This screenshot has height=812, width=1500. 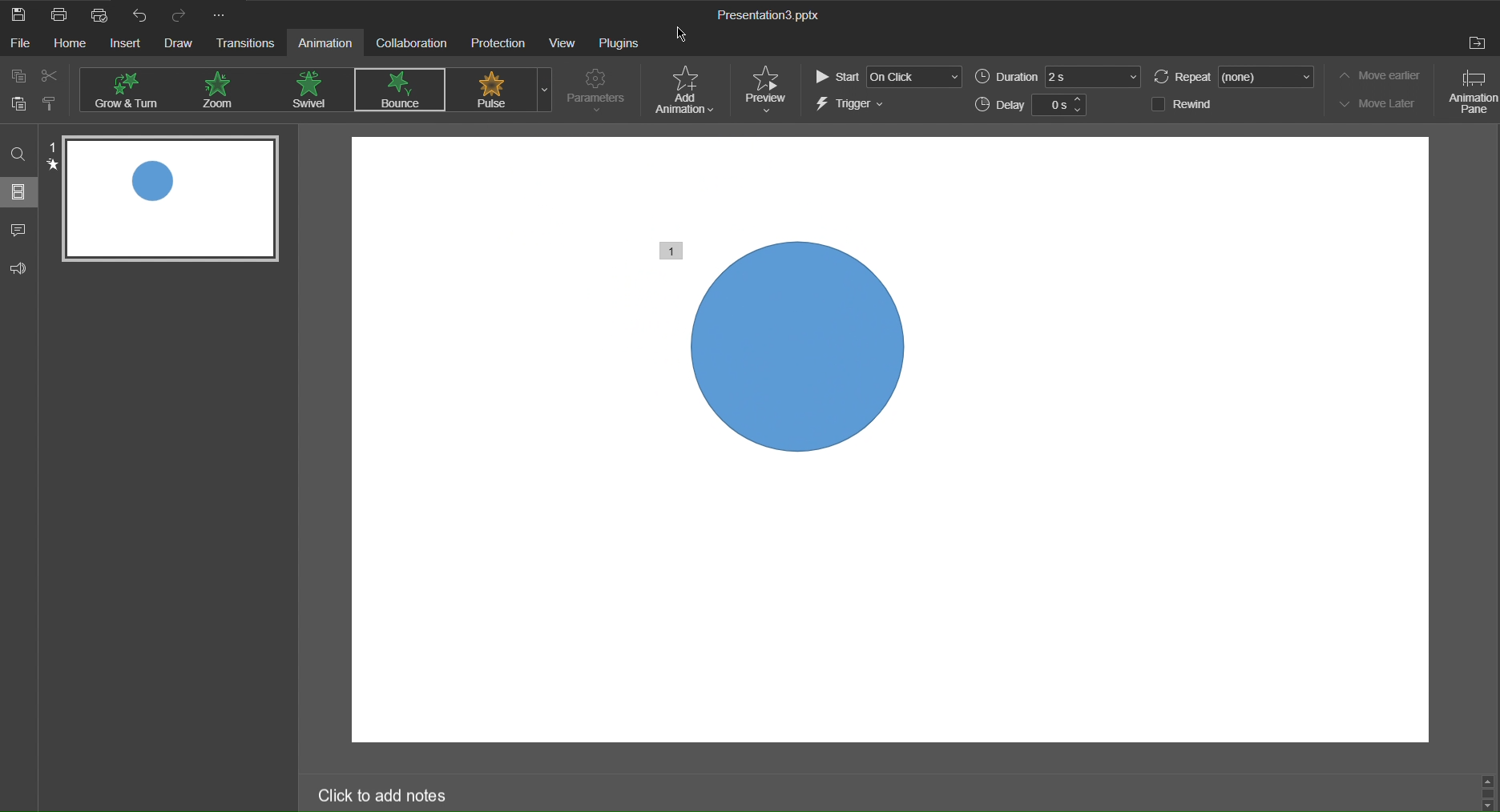 What do you see at coordinates (176, 16) in the screenshot?
I see `Redo` at bounding box center [176, 16].